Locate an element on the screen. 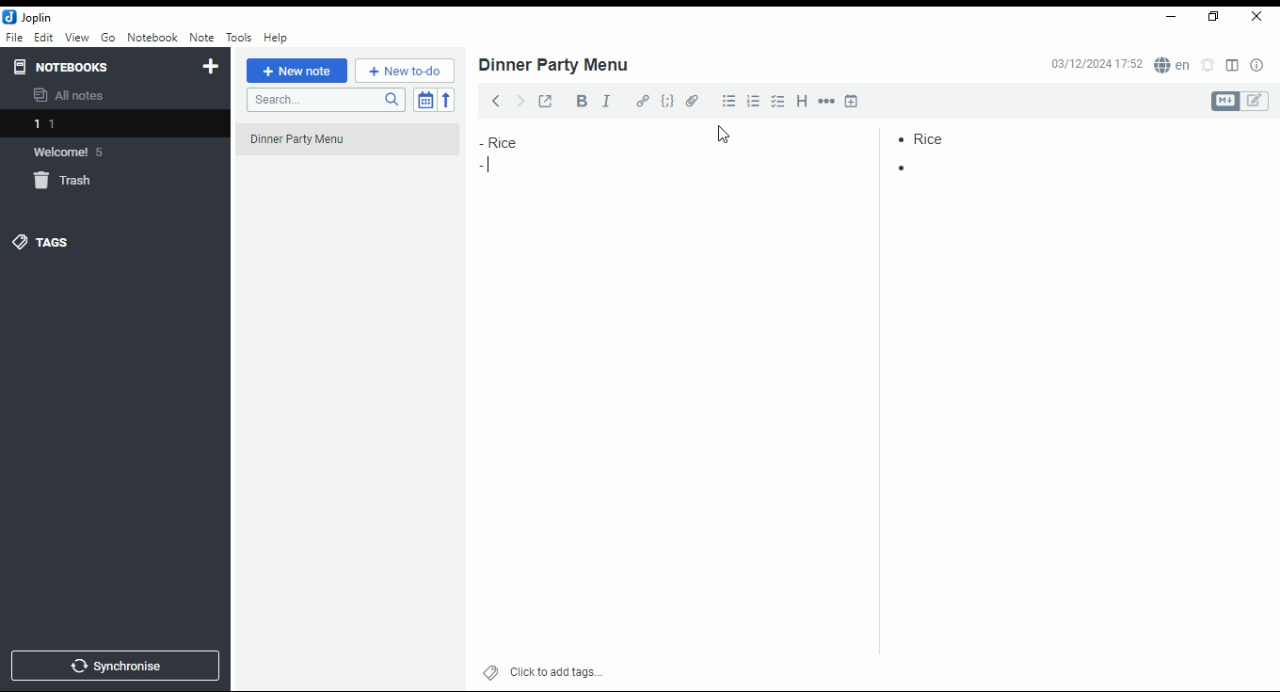 This screenshot has height=692, width=1280. heading is located at coordinates (803, 102).